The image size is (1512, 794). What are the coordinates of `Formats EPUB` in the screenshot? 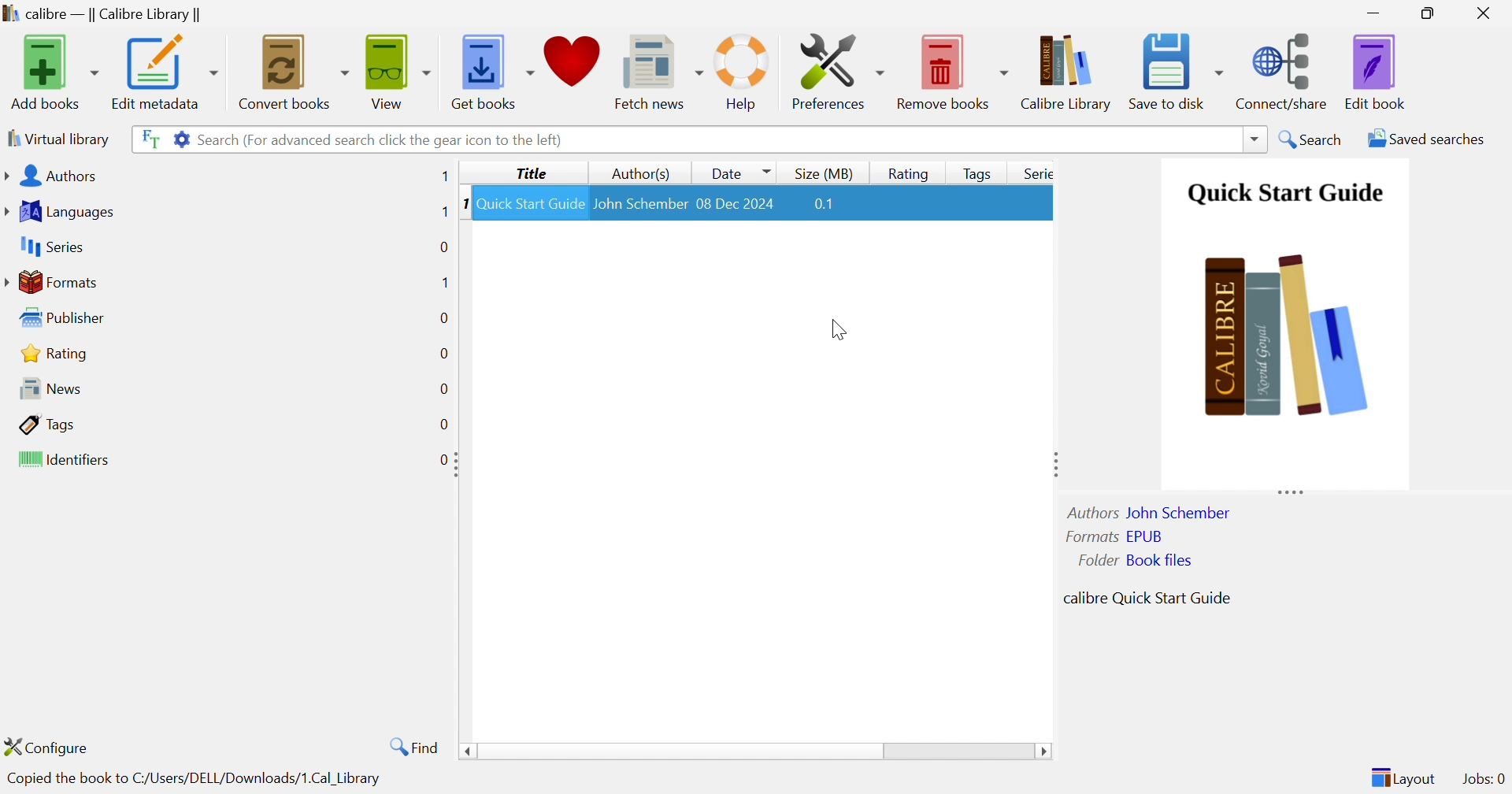 It's located at (1114, 536).